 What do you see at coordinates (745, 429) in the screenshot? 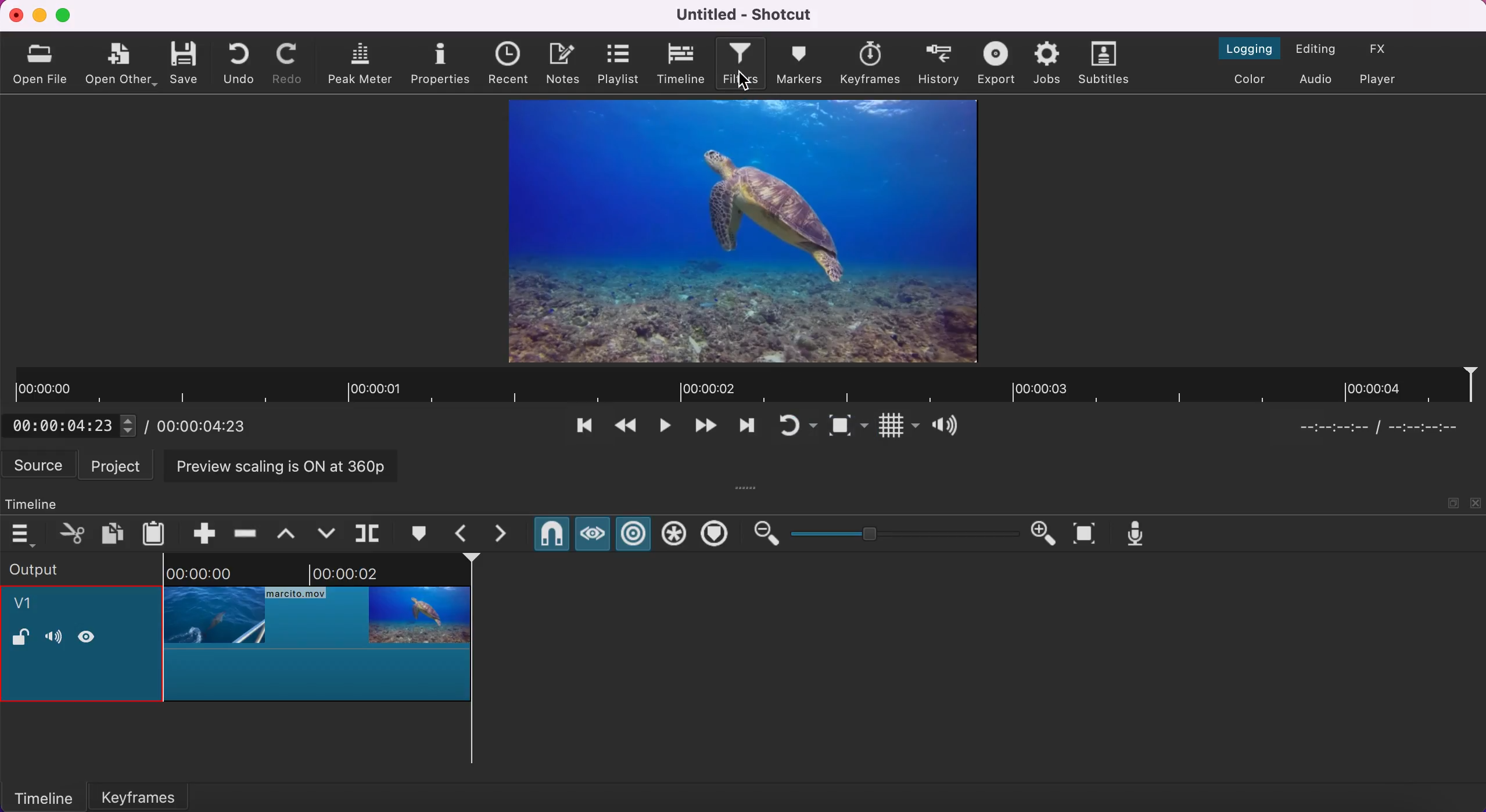
I see `play quickly forwards` at bounding box center [745, 429].